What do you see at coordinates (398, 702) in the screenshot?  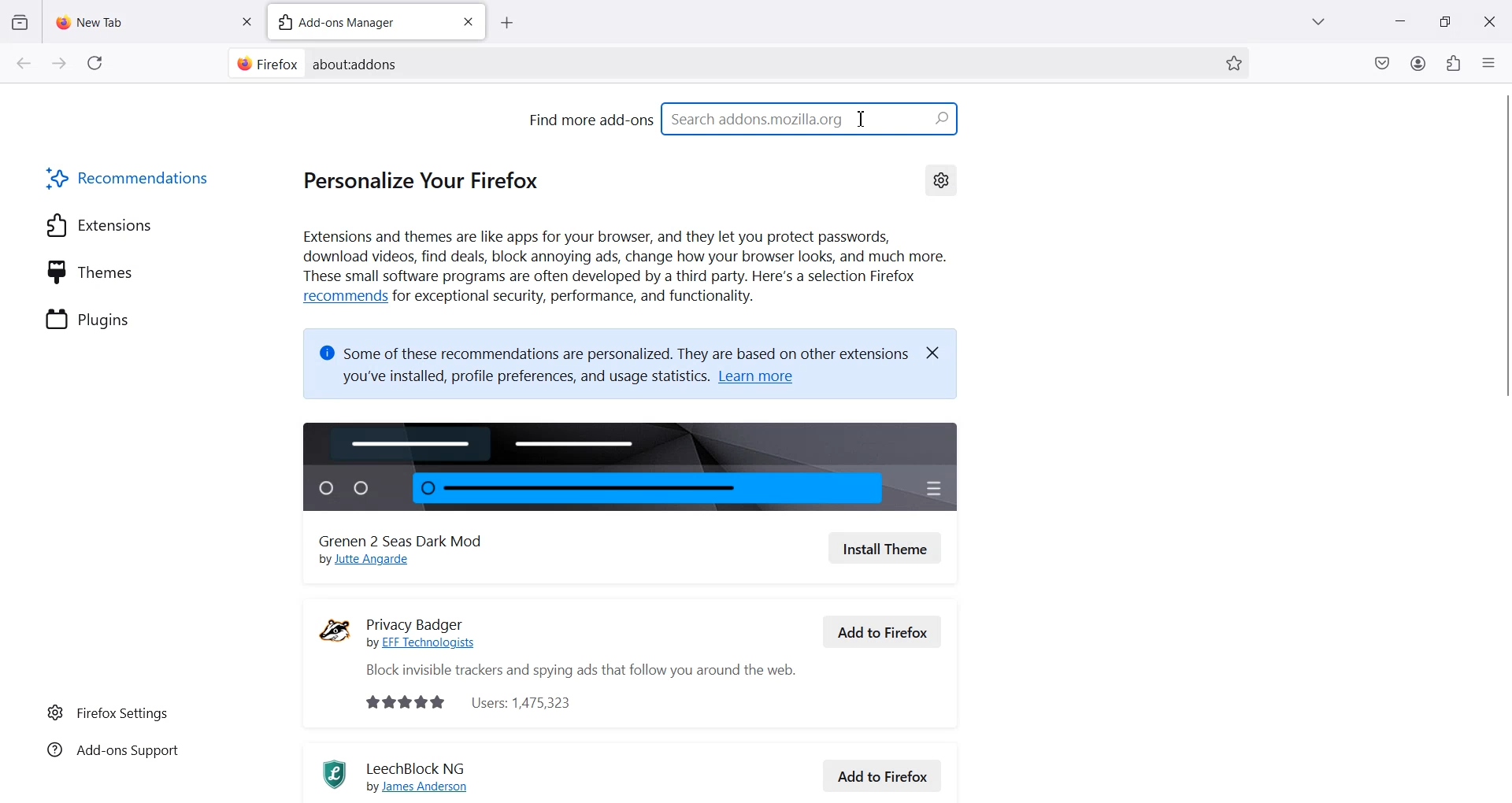 I see `rating` at bounding box center [398, 702].